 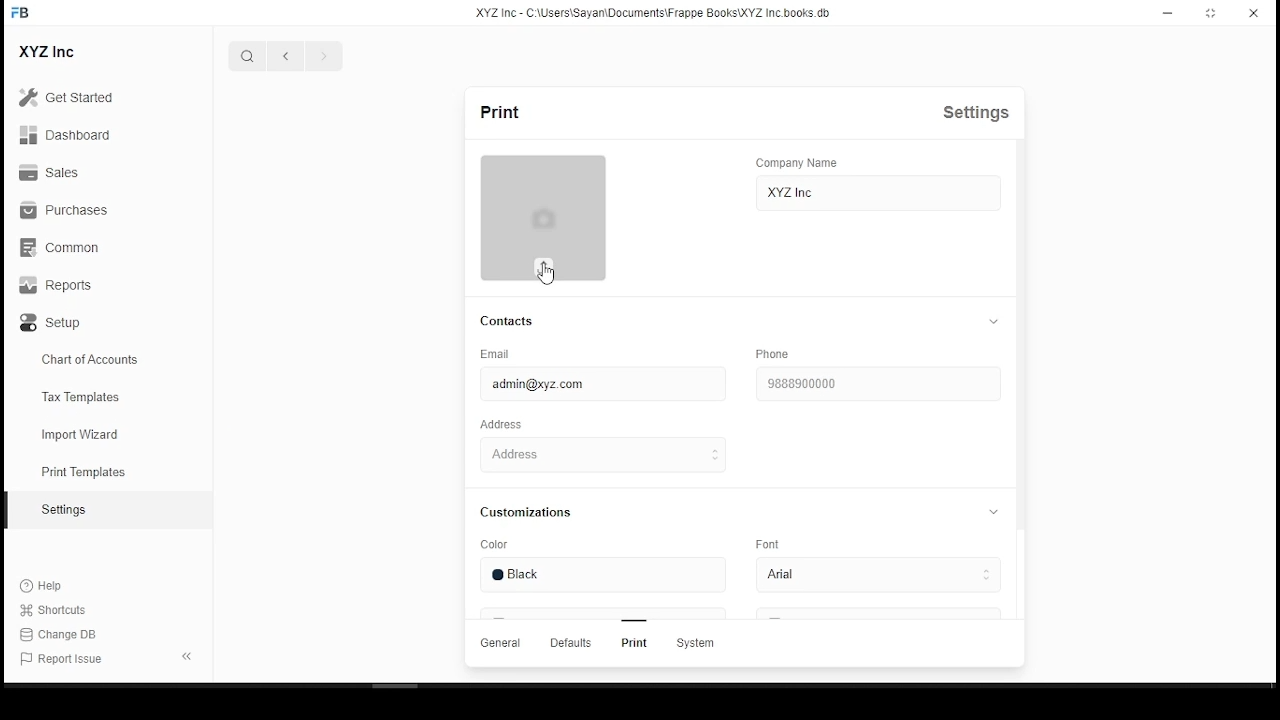 I want to click on Report Issue, so click(x=62, y=660).